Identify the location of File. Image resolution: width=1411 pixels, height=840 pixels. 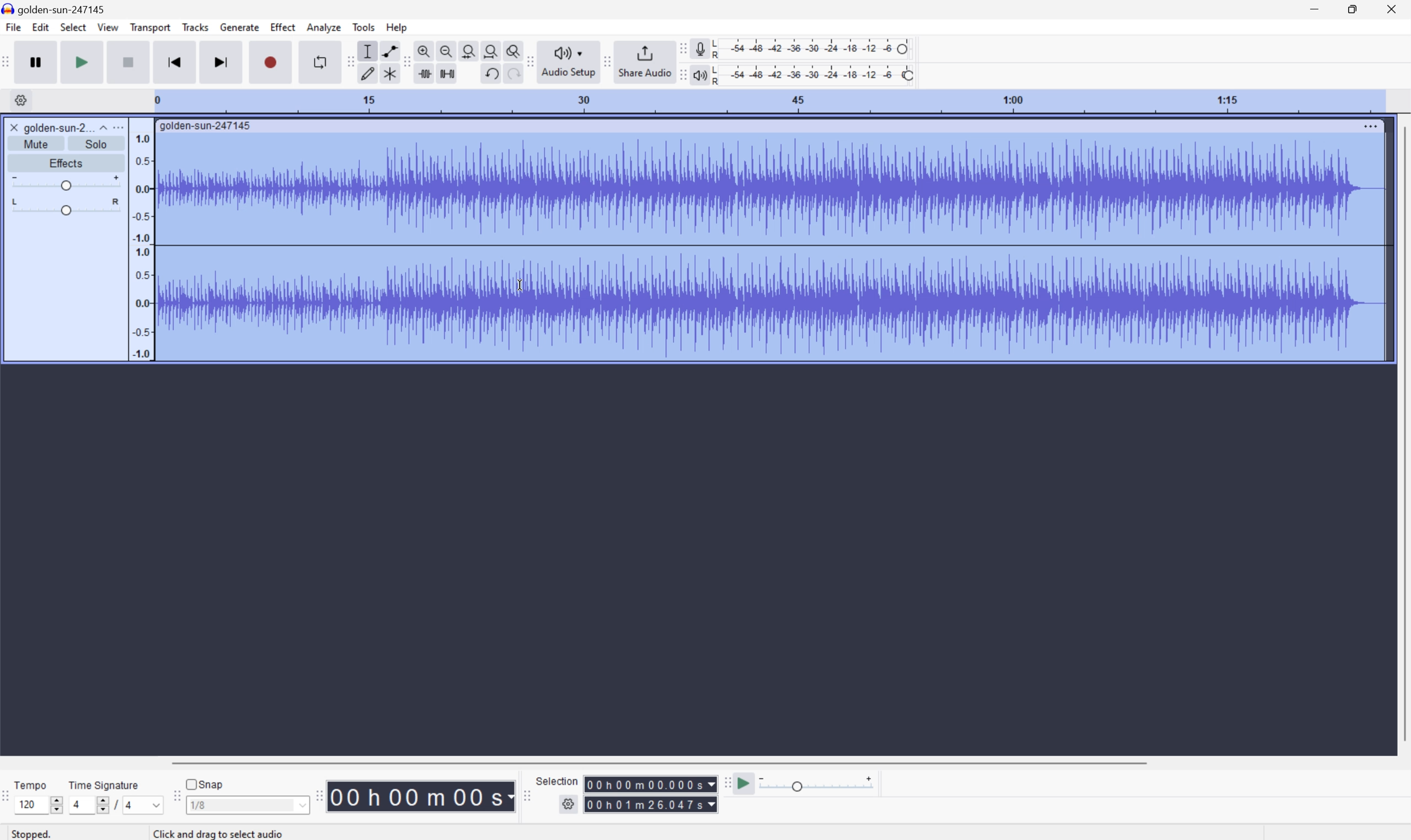
(12, 27).